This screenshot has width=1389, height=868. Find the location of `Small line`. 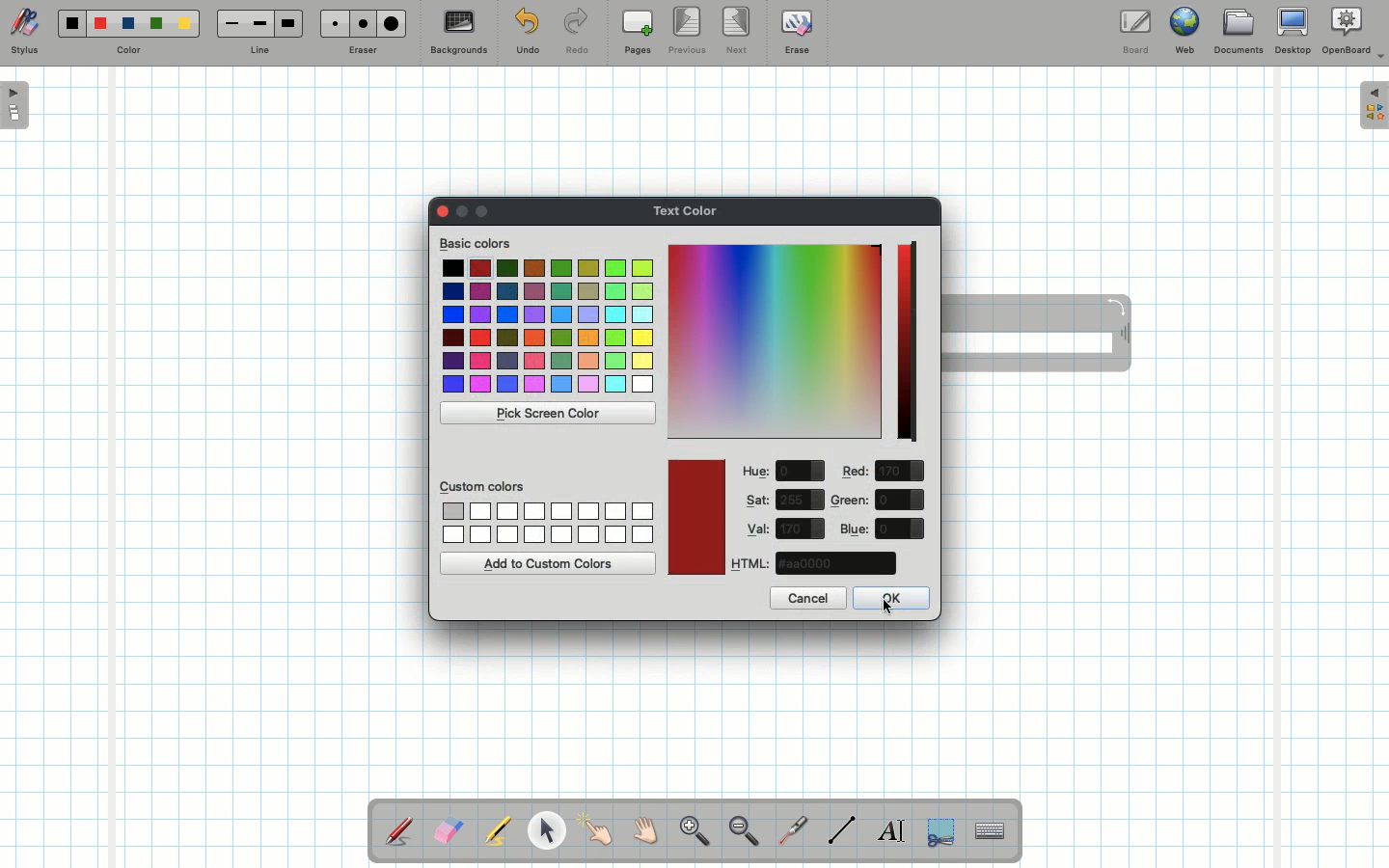

Small line is located at coordinates (229, 24).